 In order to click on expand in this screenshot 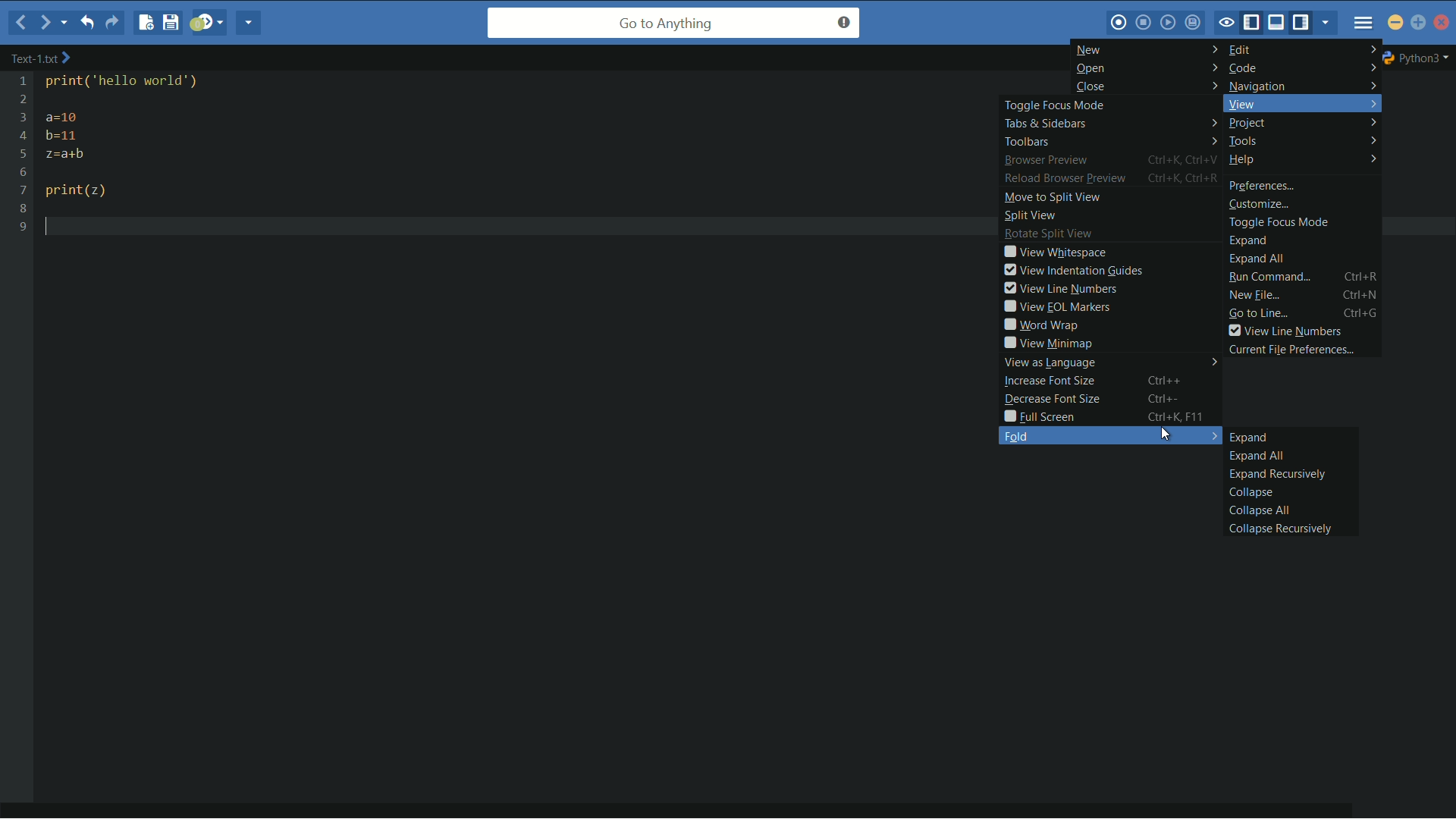, I will do `click(1249, 438)`.